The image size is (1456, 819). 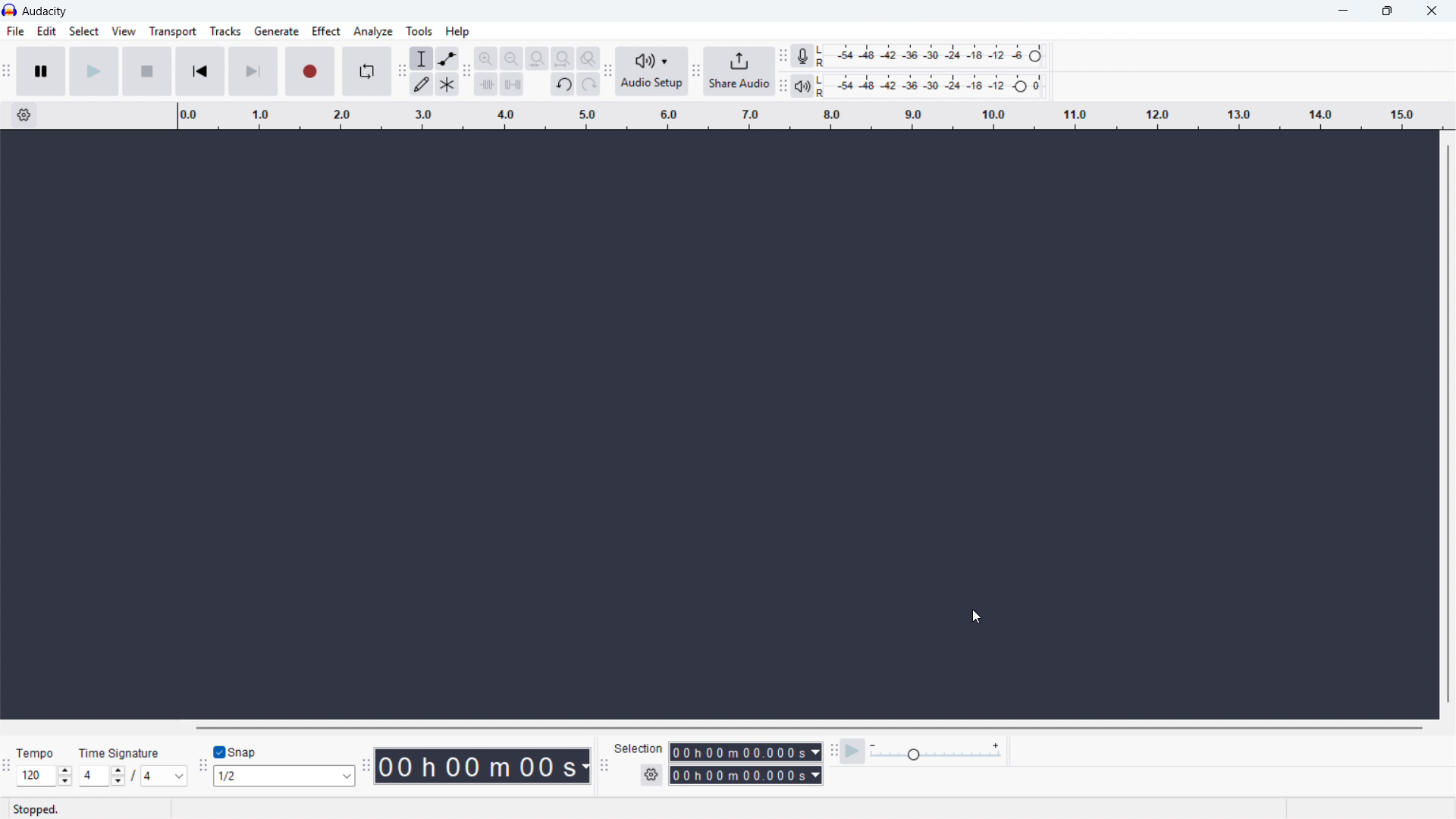 I want to click on edit toolbar, so click(x=467, y=71).